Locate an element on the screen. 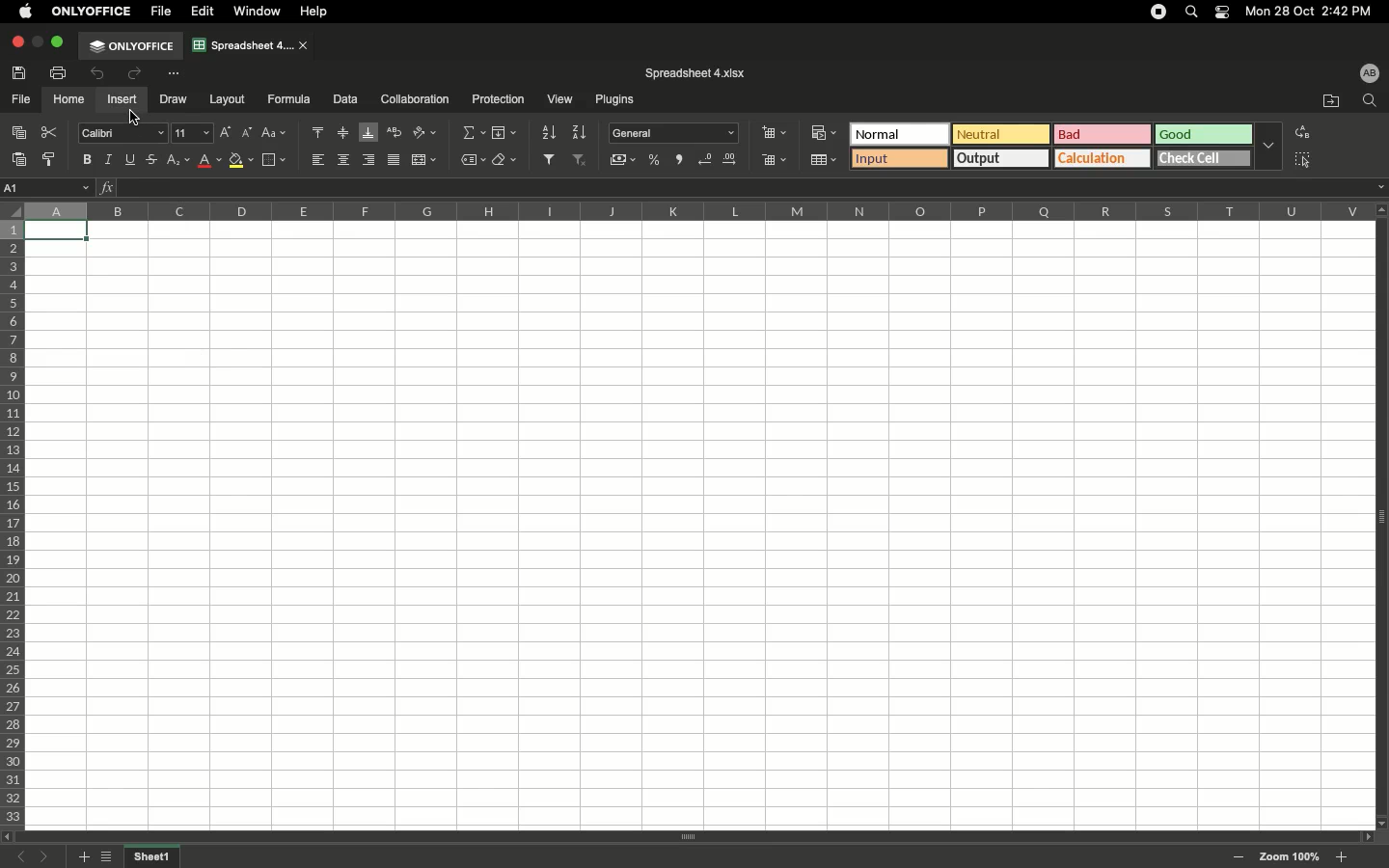 The image size is (1389, 868). Fill color is located at coordinates (242, 162).